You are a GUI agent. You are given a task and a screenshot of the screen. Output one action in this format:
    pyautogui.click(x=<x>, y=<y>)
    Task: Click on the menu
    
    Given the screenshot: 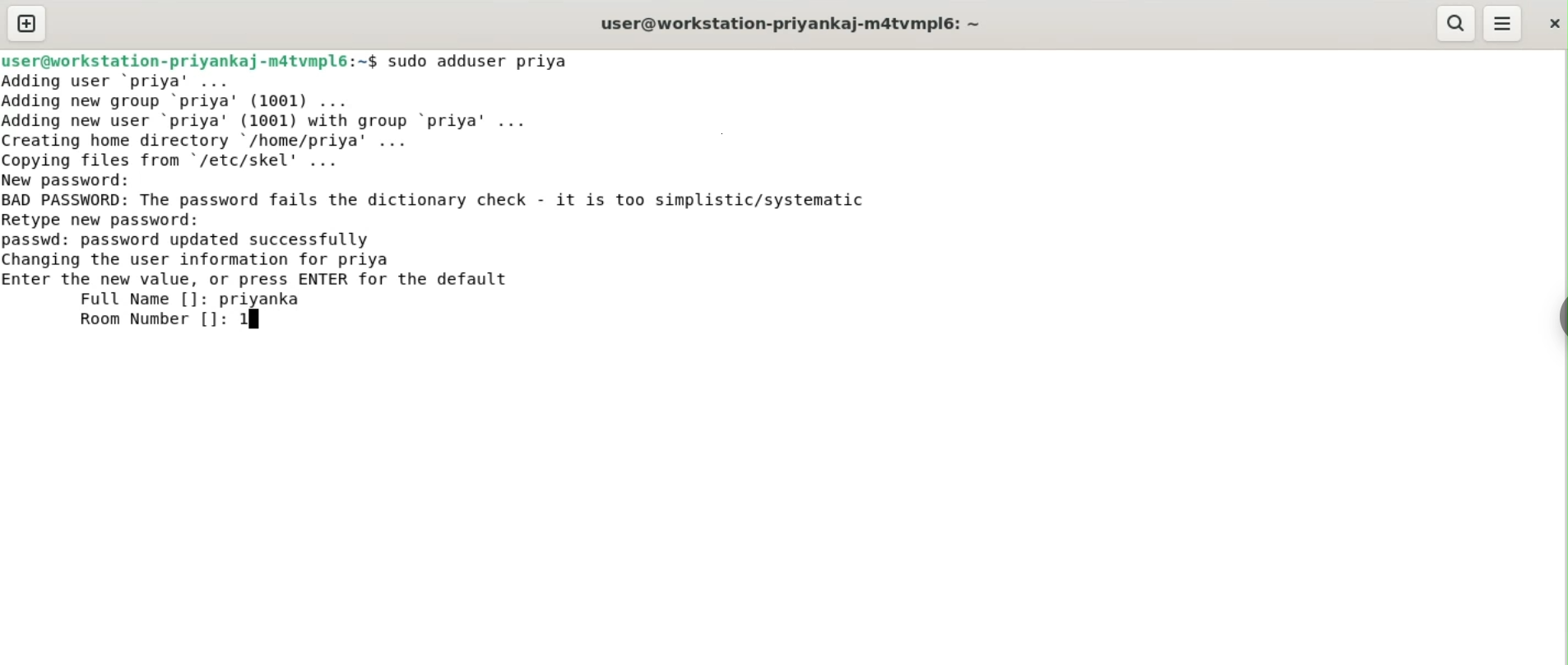 What is the action you would take?
    pyautogui.click(x=1503, y=24)
    